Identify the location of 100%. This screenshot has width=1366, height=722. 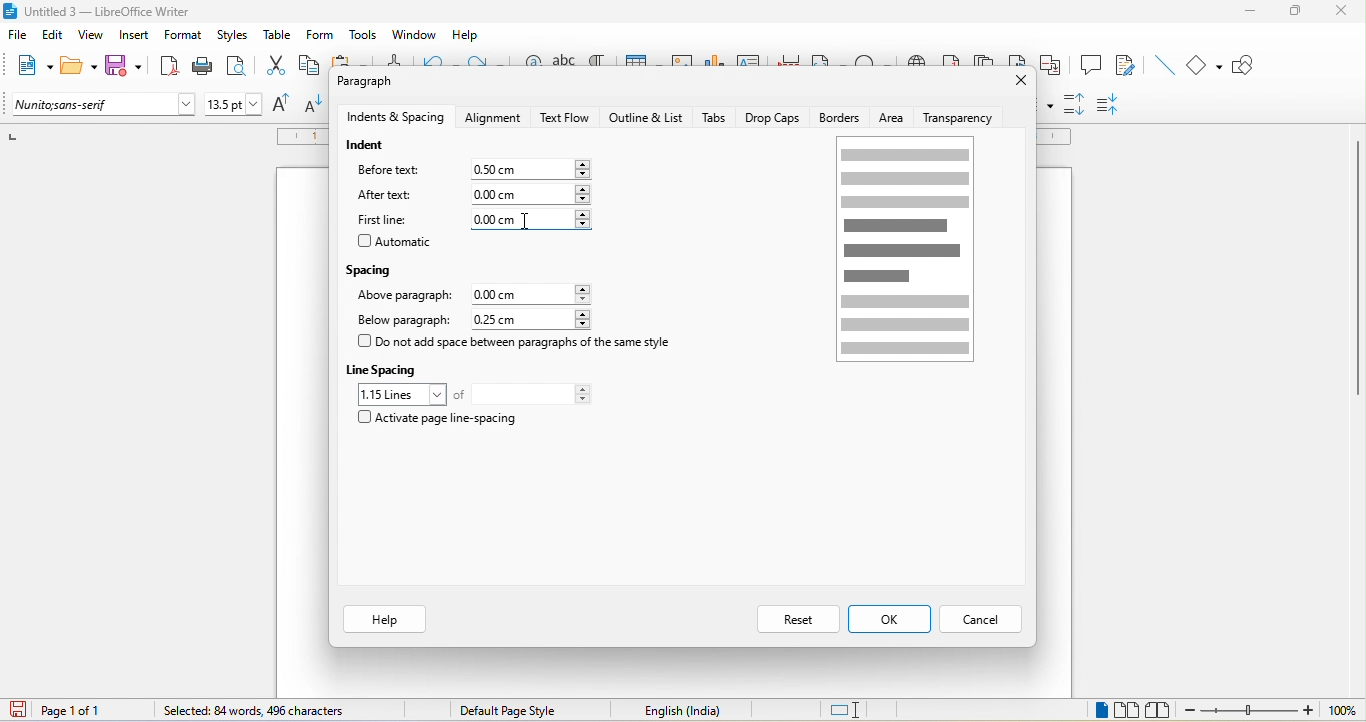
(1342, 711).